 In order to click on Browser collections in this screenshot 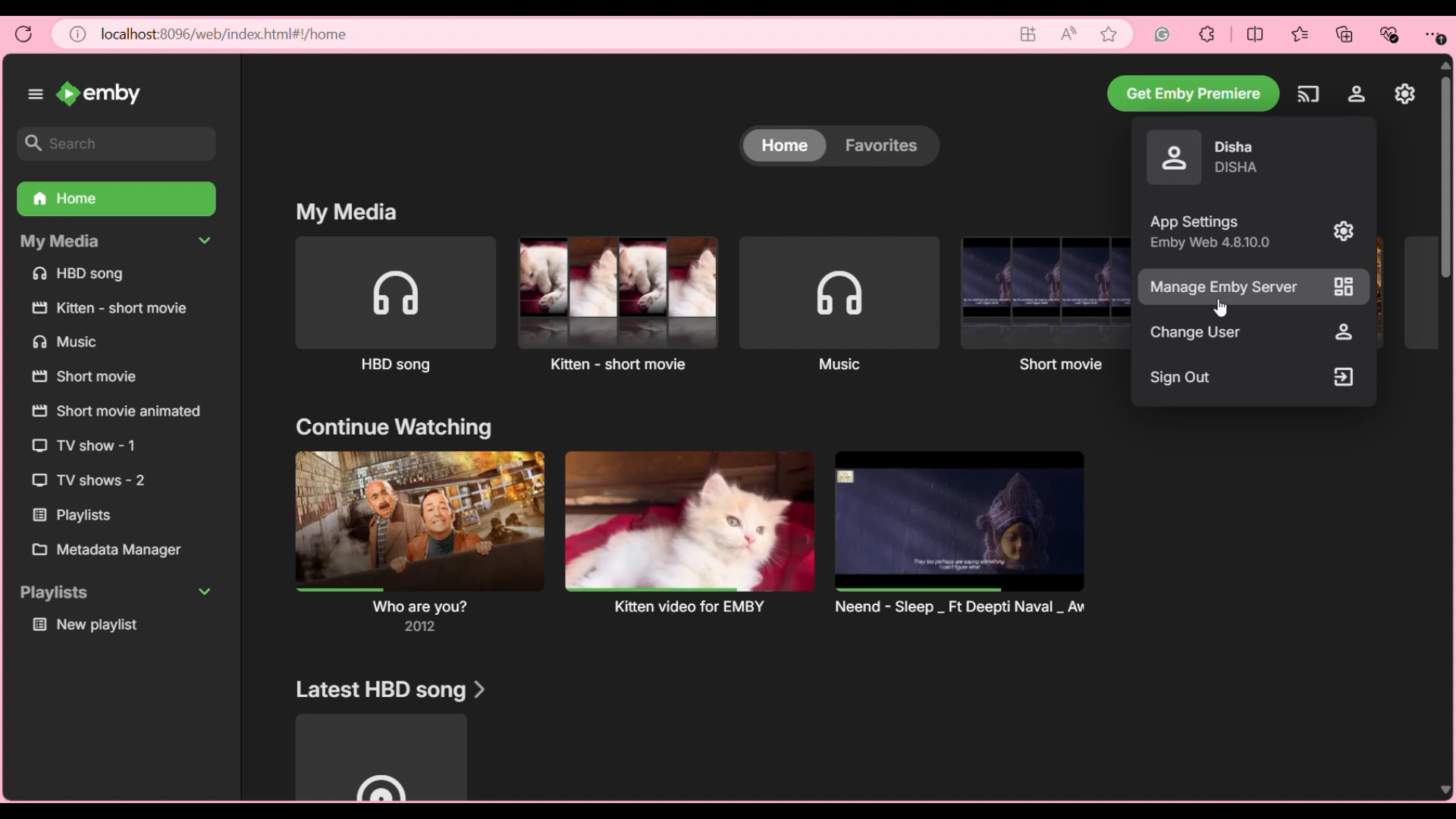, I will do `click(1345, 34)`.